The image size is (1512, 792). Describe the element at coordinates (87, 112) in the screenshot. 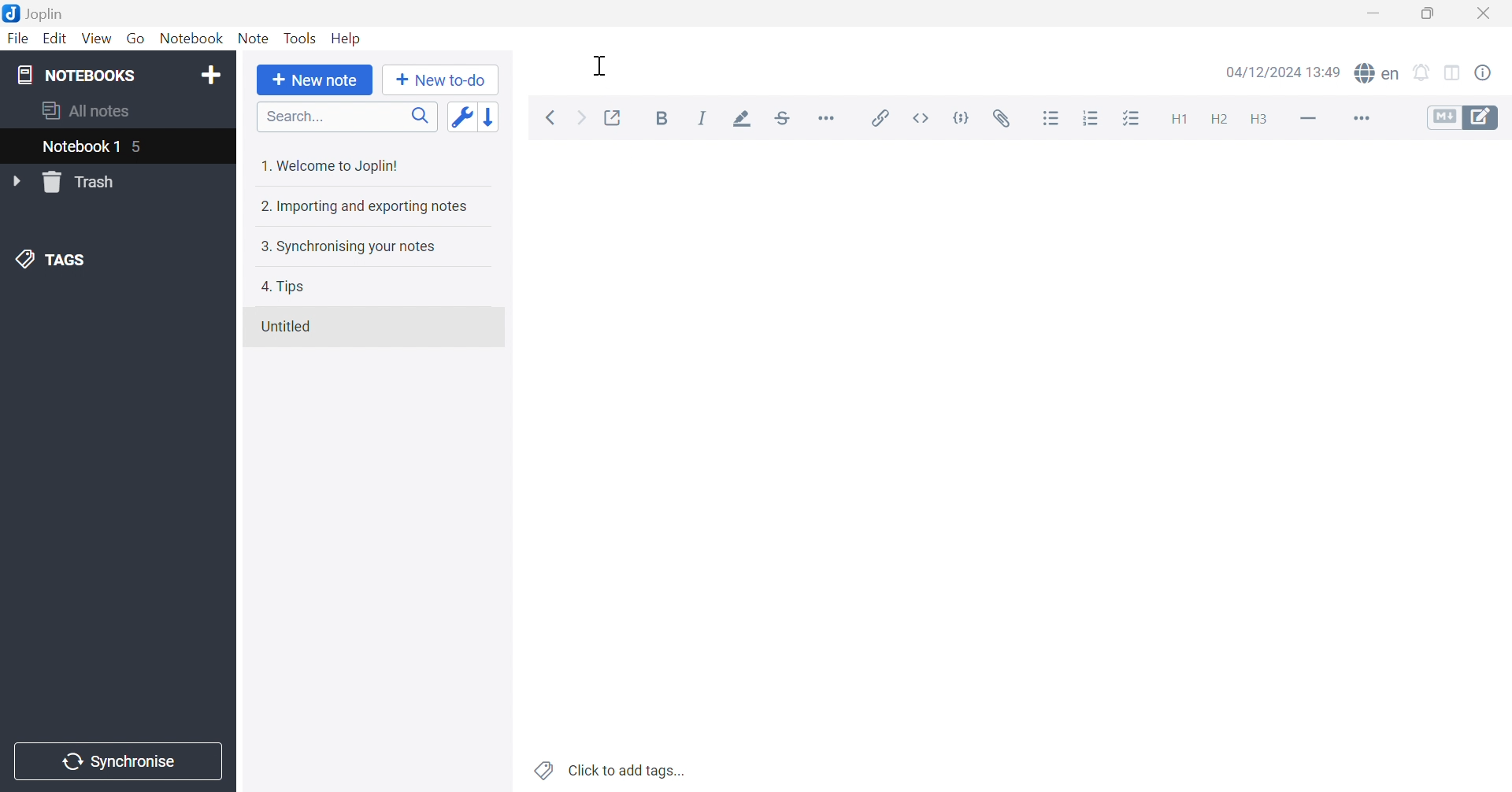

I see `All notes` at that location.